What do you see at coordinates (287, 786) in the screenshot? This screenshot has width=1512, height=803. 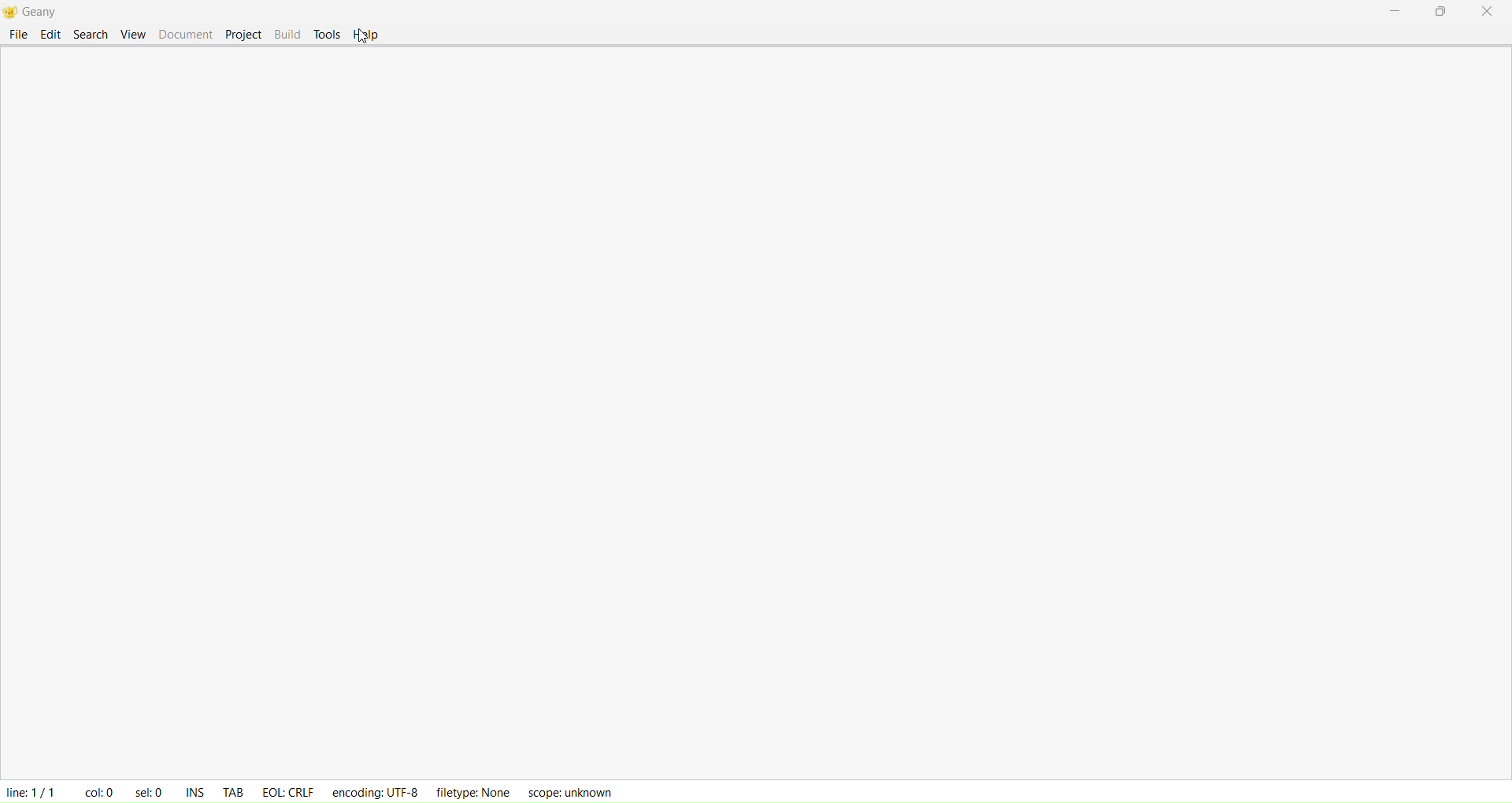 I see `Eql` at bounding box center [287, 786].